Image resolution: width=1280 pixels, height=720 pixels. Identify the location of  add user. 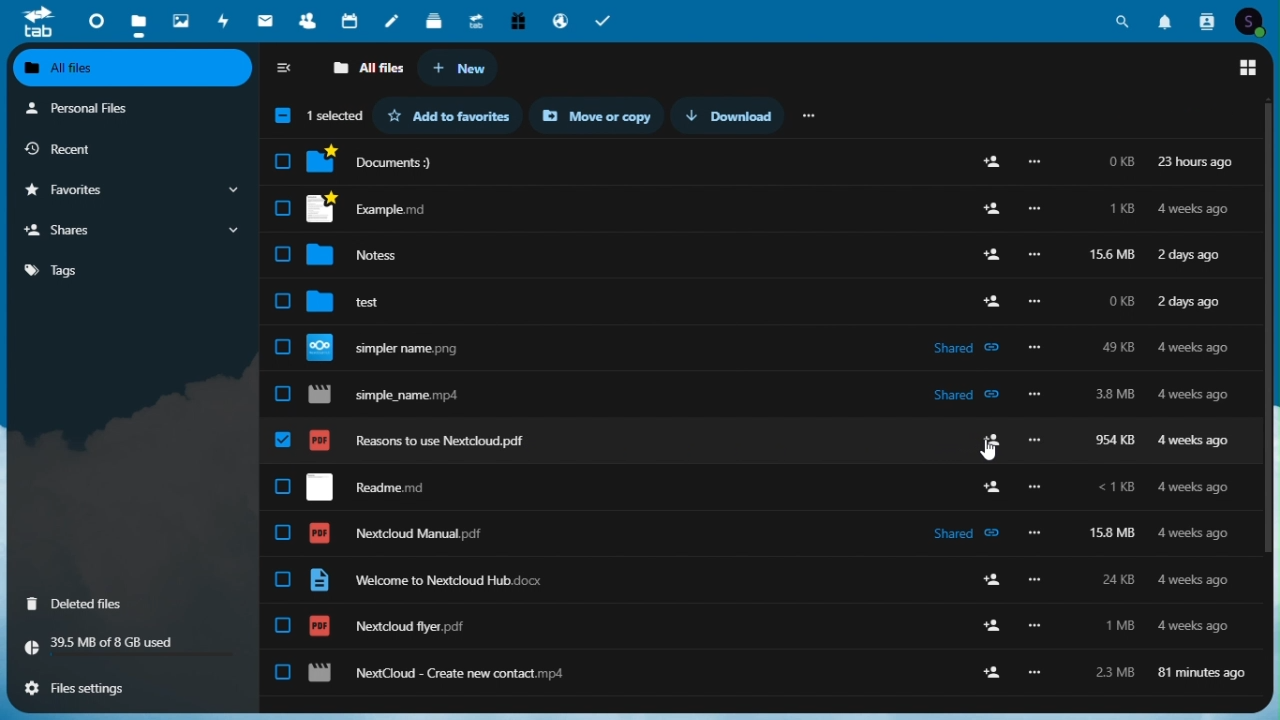
(988, 581).